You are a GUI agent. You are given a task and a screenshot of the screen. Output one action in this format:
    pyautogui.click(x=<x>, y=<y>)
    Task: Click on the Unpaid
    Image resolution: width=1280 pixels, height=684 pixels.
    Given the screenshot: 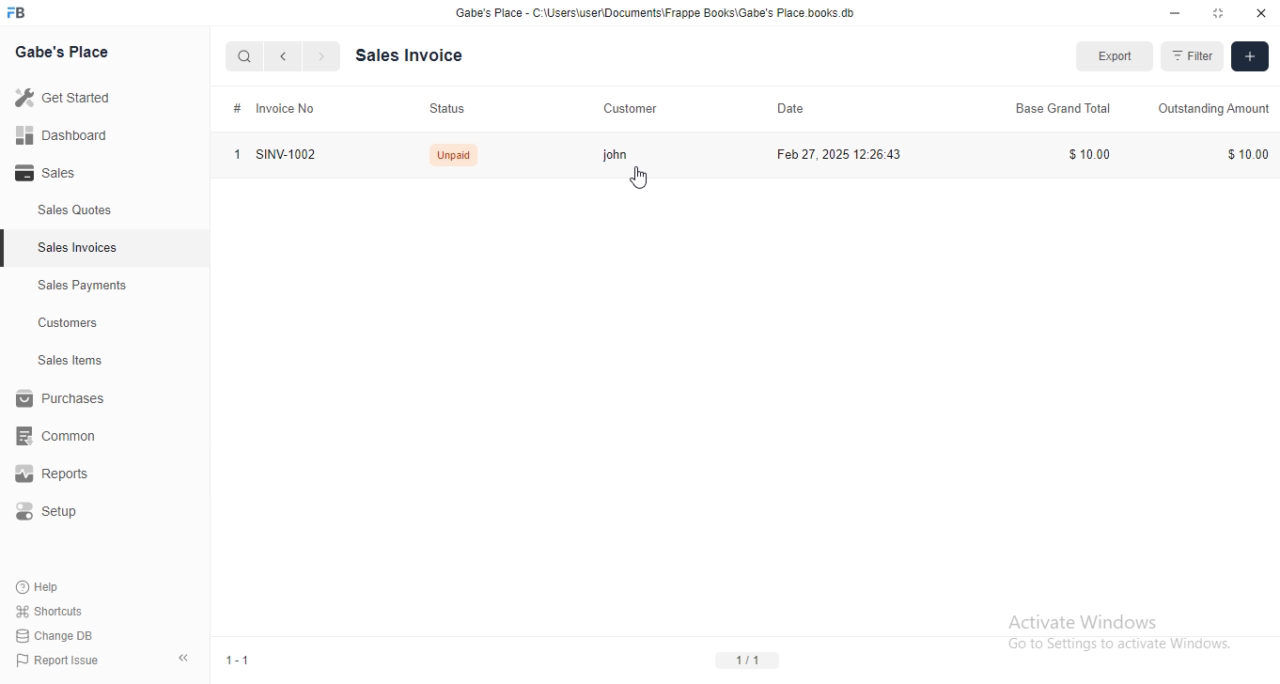 What is the action you would take?
    pyautogui.click(x=454, y=154)
    